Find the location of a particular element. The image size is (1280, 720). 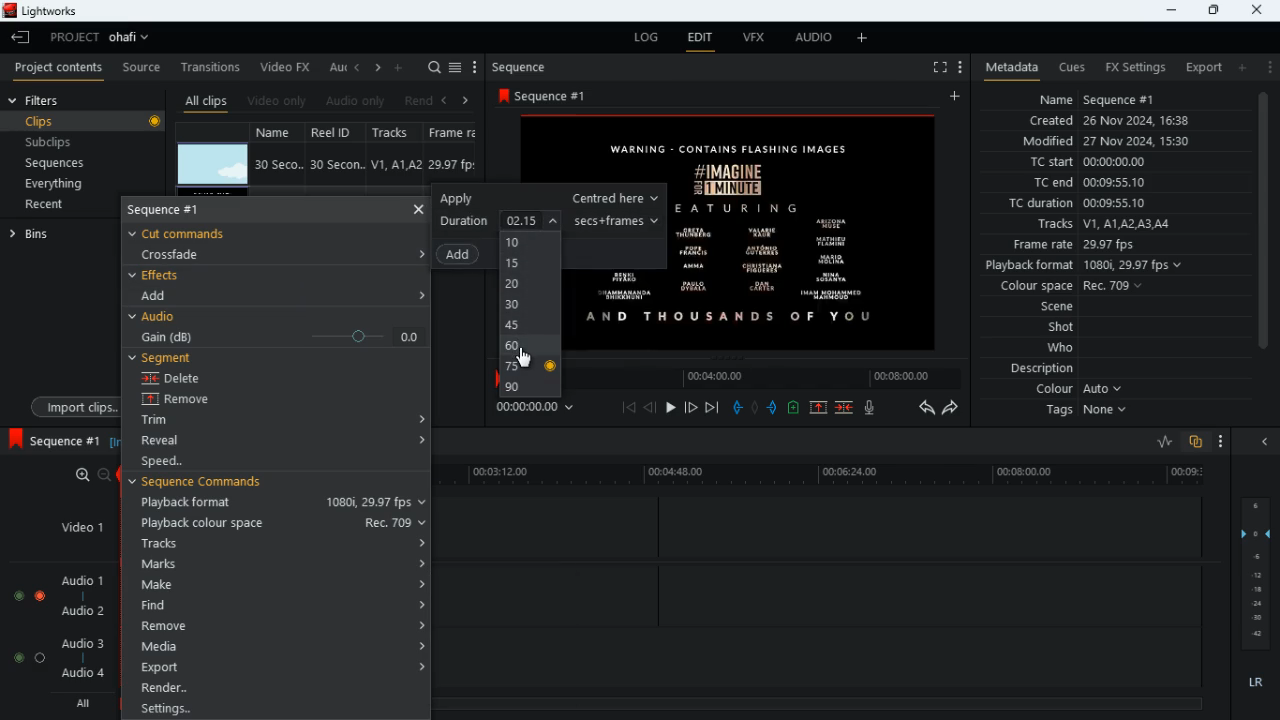

60 is located at coordinates (527, 346).